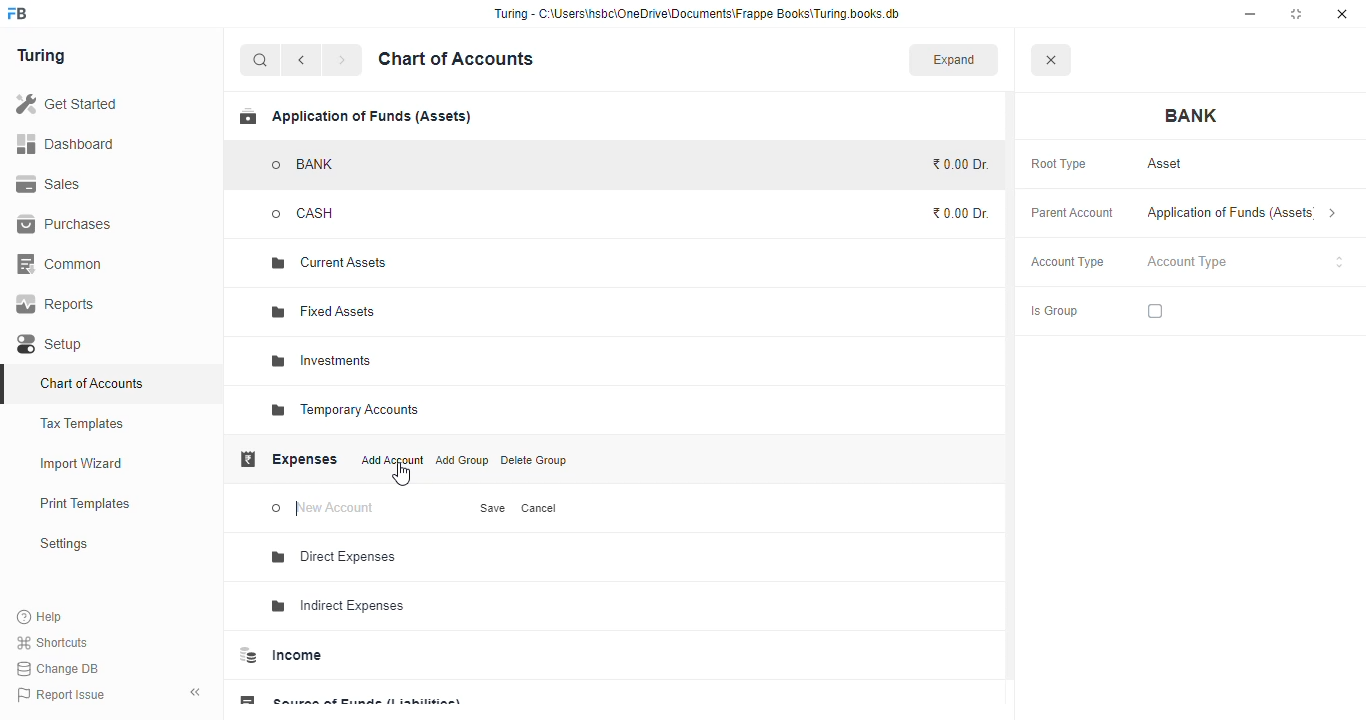 Image resolution: width=1366 pixels, height=720 pixels. Describe the element at coordinates (67, 225) in the screenshot. I see `purchases` at that location.